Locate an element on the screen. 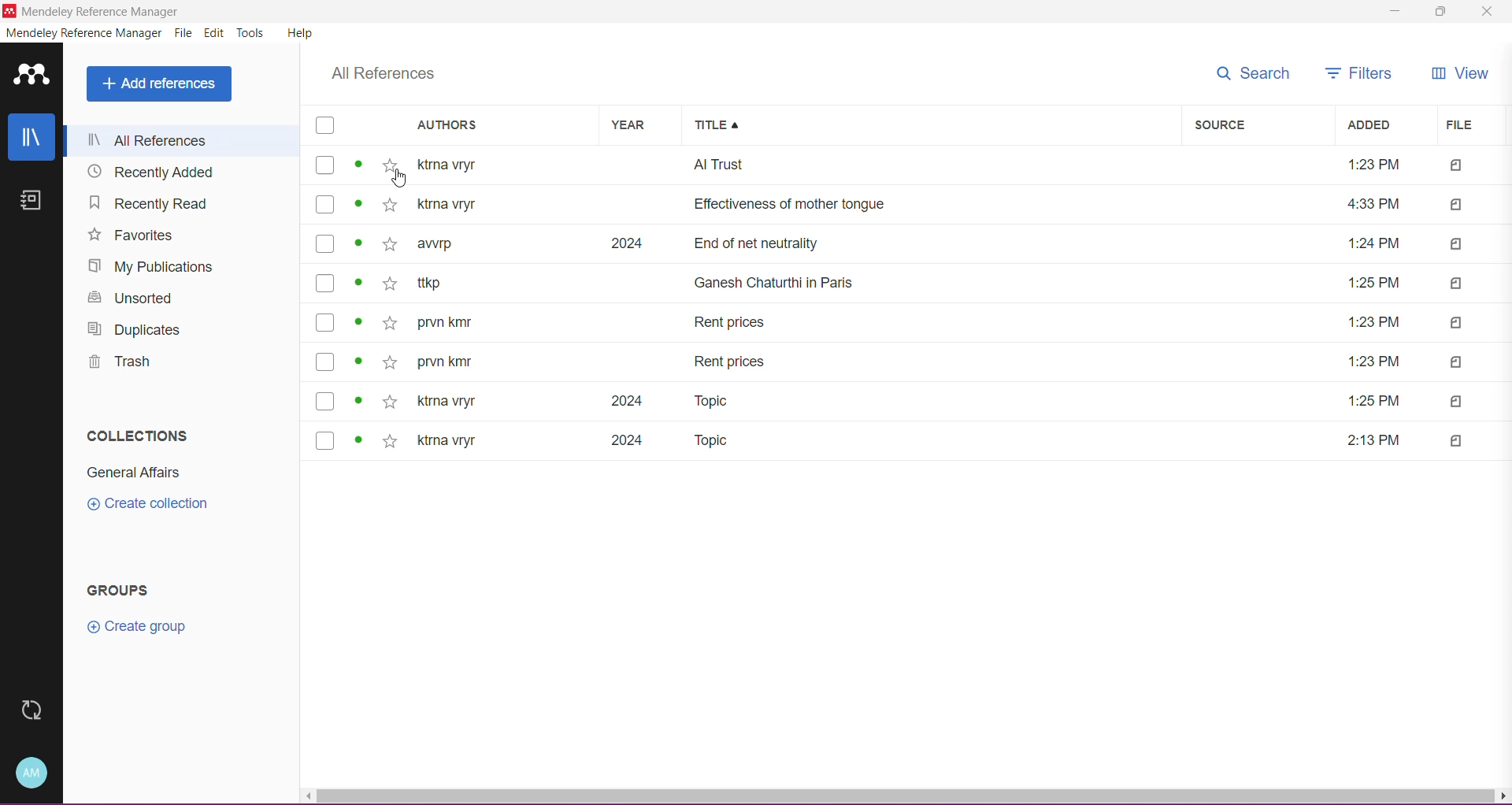 The image size is (1512, 805). Filters is located at coordinates (1353, 75).